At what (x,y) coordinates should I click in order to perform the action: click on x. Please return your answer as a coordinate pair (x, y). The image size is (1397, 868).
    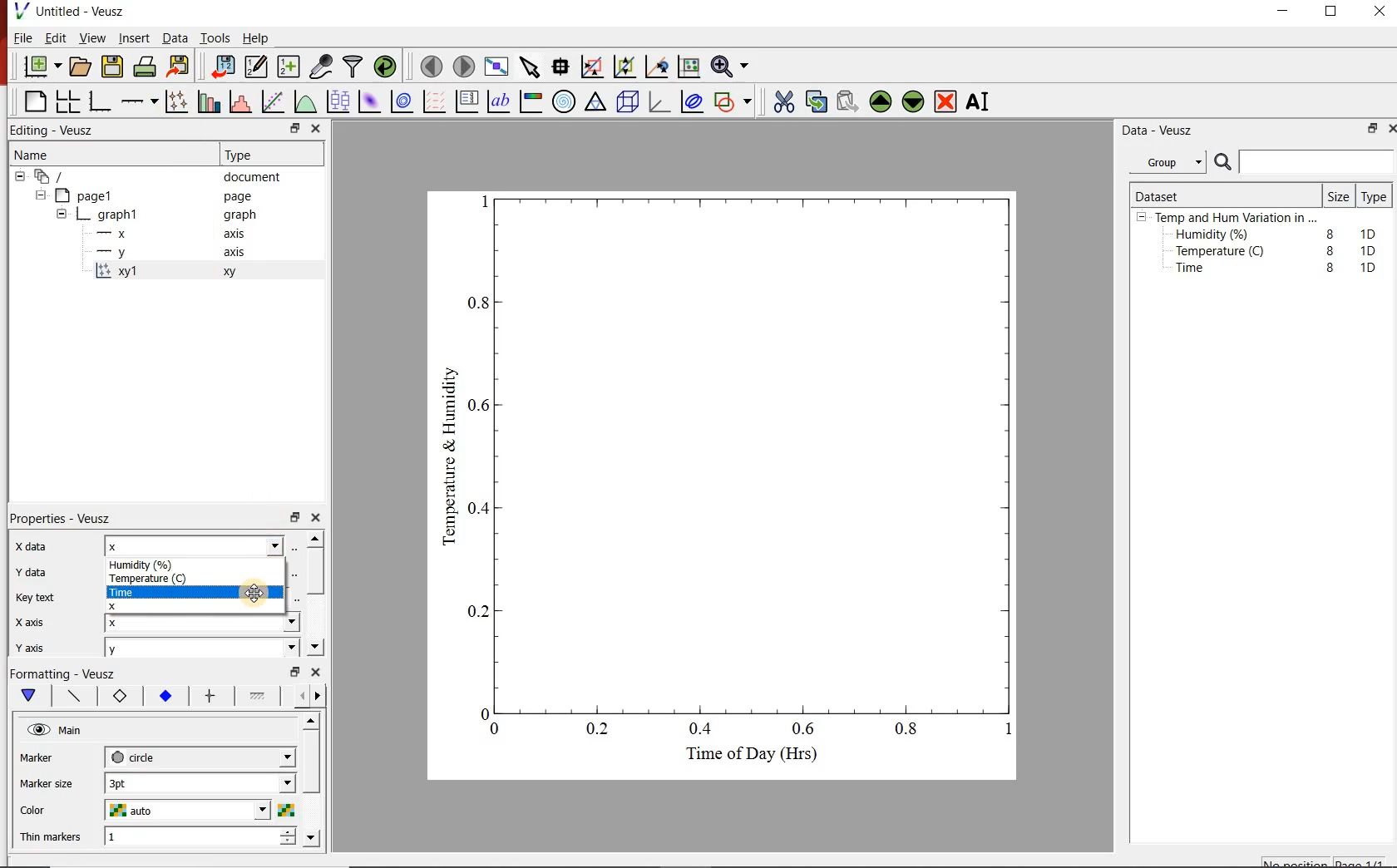
    Looking at the image, I should click on (143, 545).